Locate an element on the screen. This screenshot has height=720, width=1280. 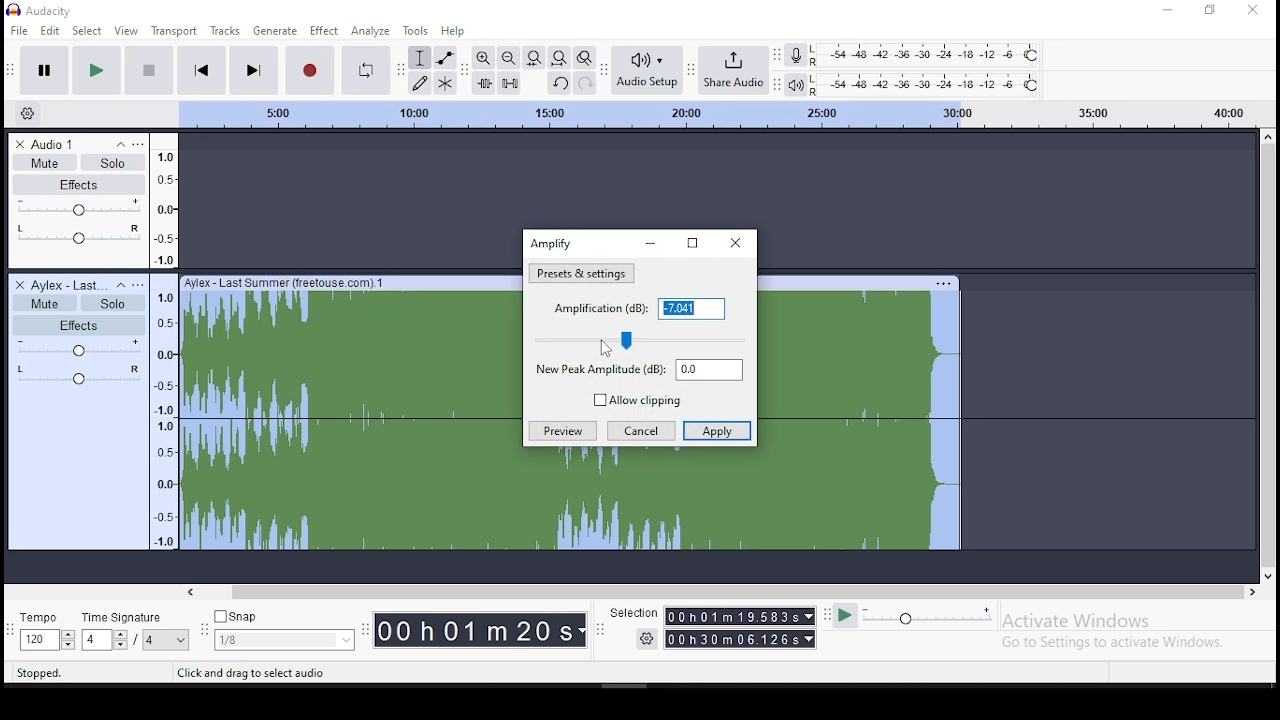
skip to end is located at coordinates (254, 69).